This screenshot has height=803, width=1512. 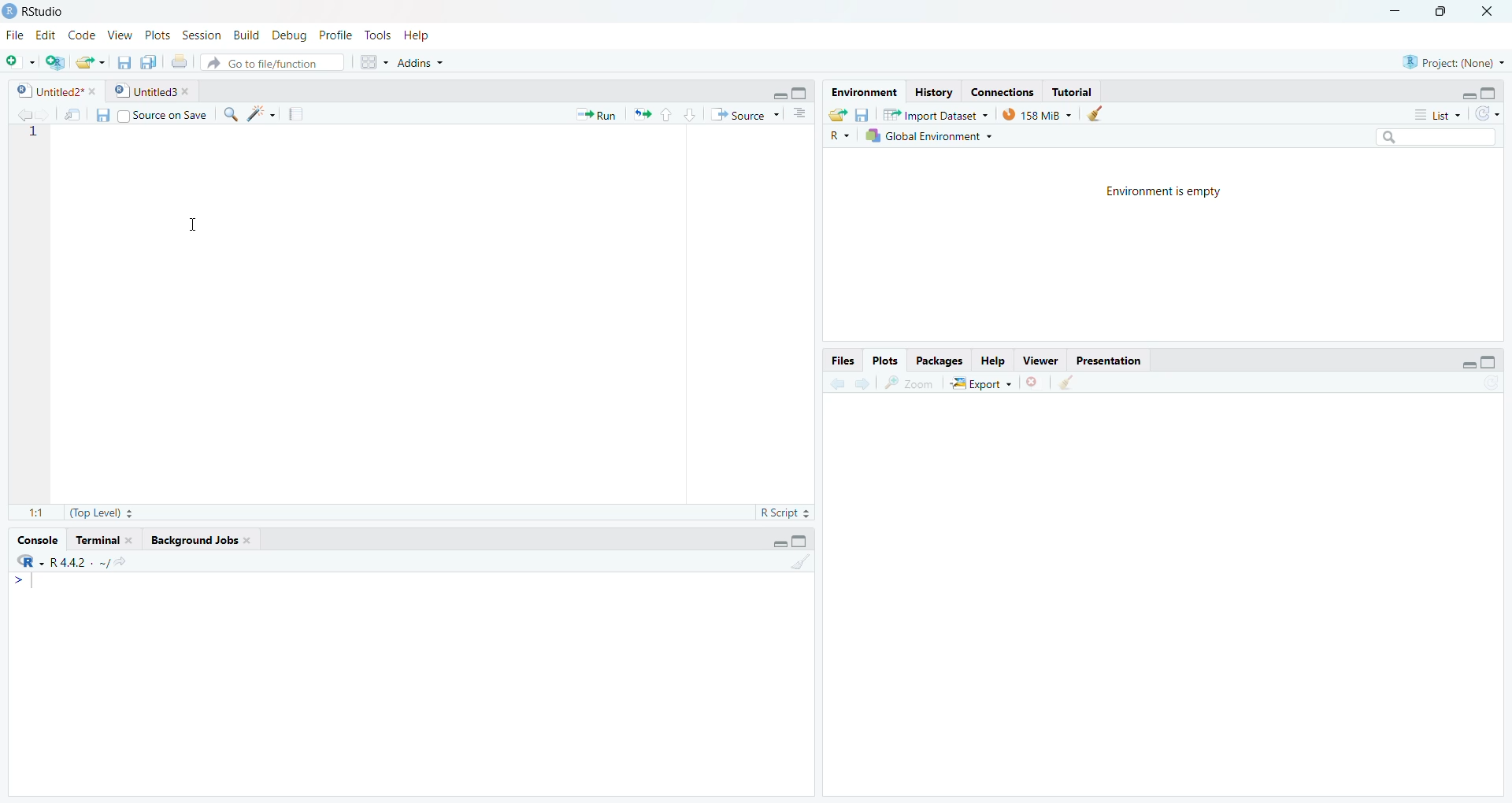 I want to click on RScript , so click(x=783, y=510).